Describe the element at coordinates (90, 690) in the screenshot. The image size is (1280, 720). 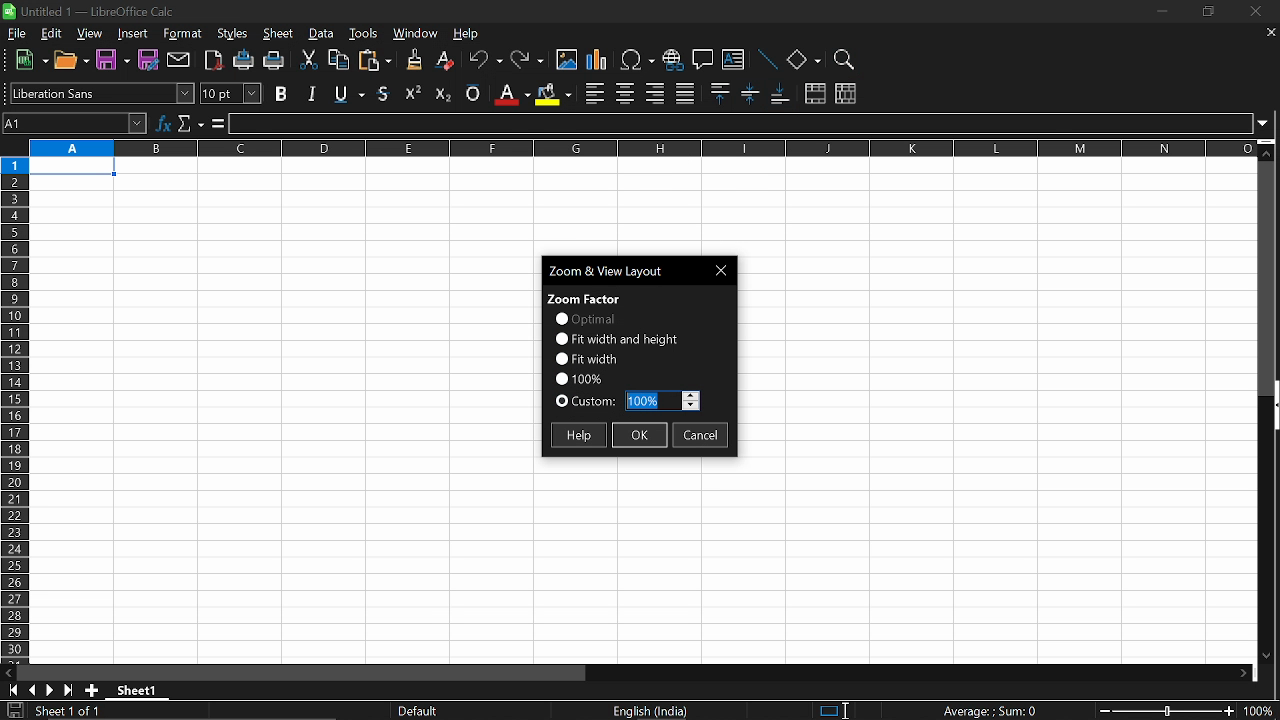
I see `add sheet` at that location.